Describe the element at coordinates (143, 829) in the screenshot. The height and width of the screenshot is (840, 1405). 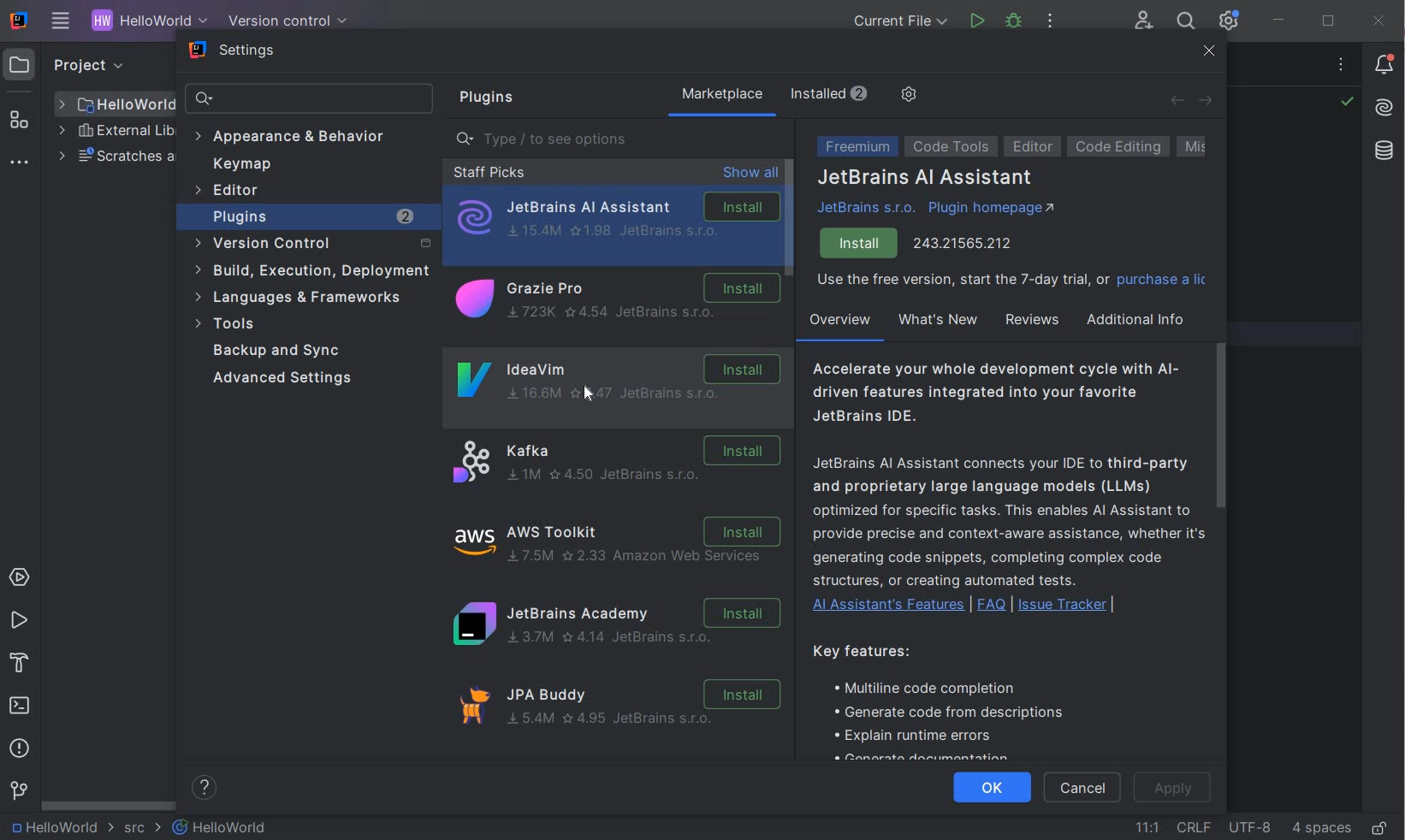
I see `SRC` at that location.